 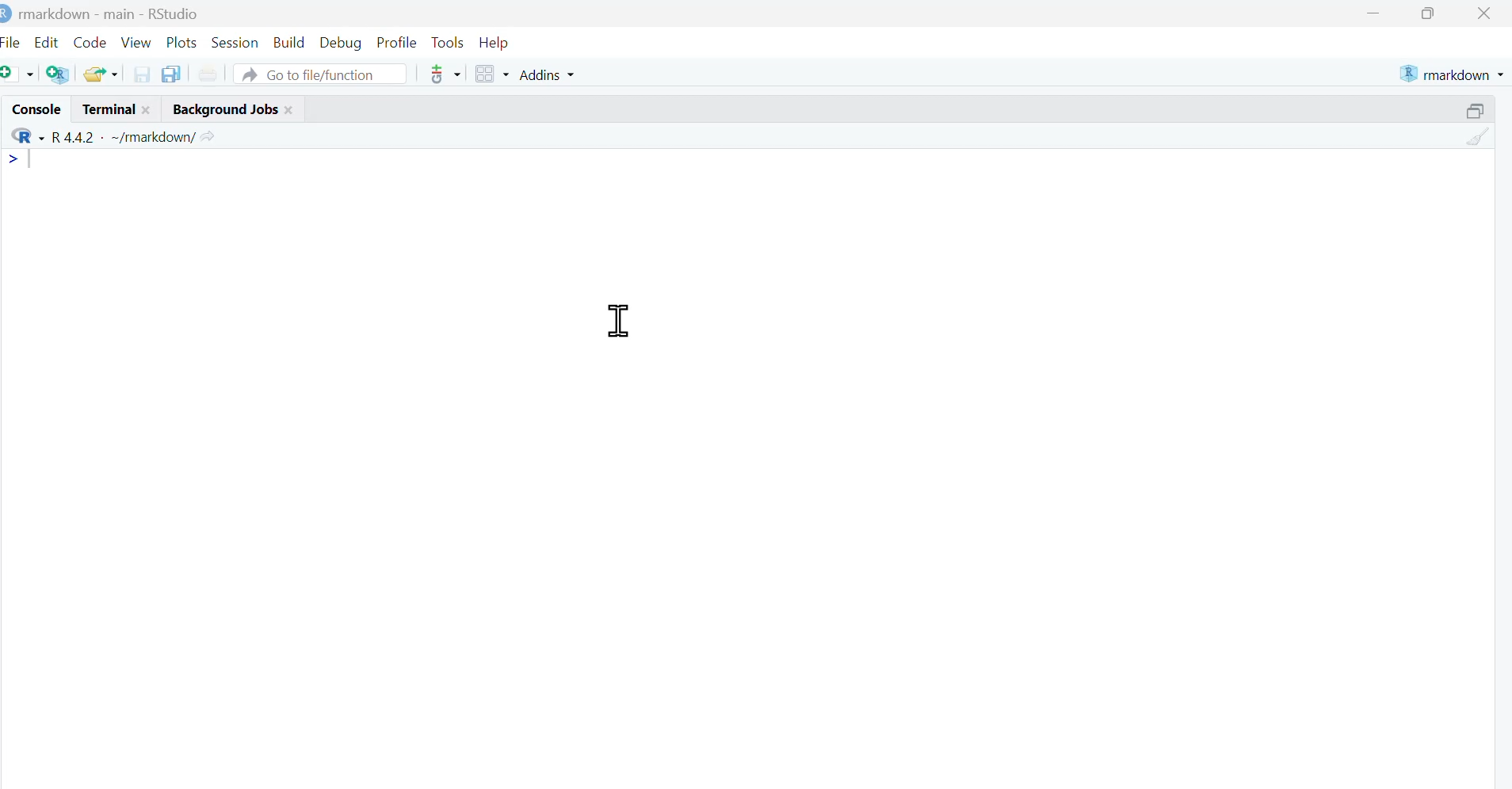 What do you see at coordinates (174, 12) in the screenshot?
I see `RStudio` at bounding box center [174, 12].